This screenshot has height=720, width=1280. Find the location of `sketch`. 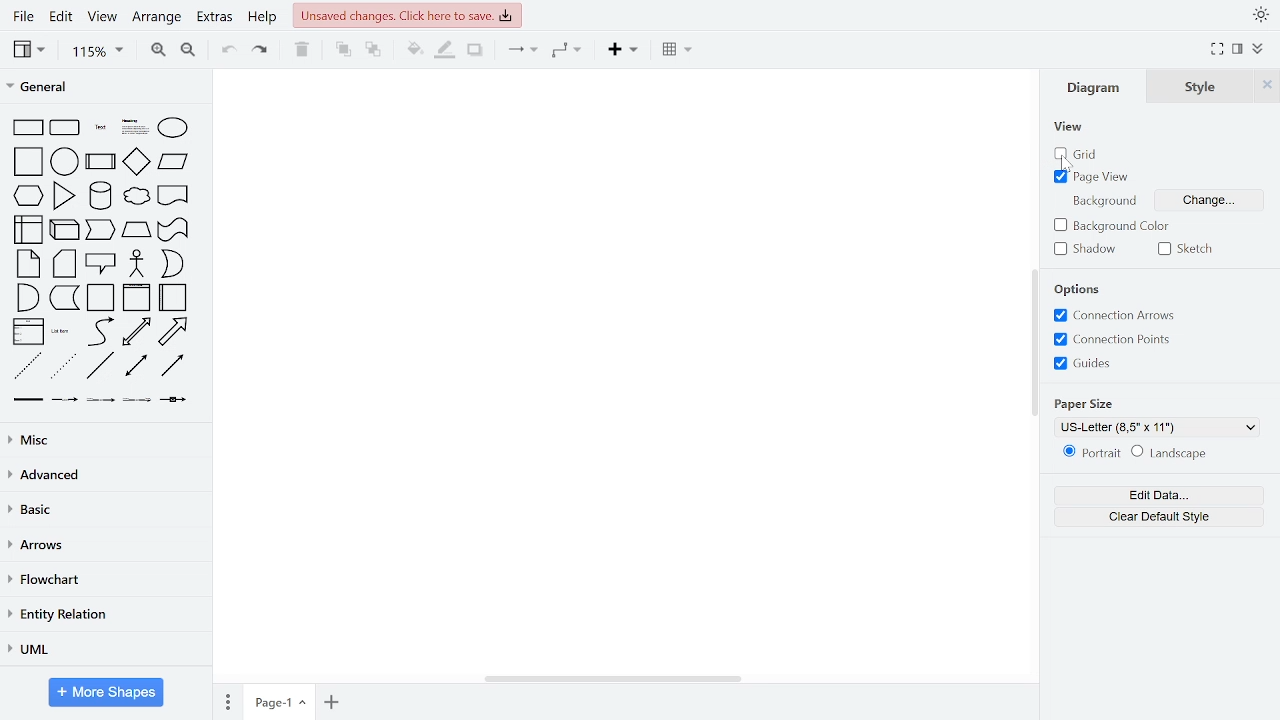

sketch is located at coordinates (1189, 249).